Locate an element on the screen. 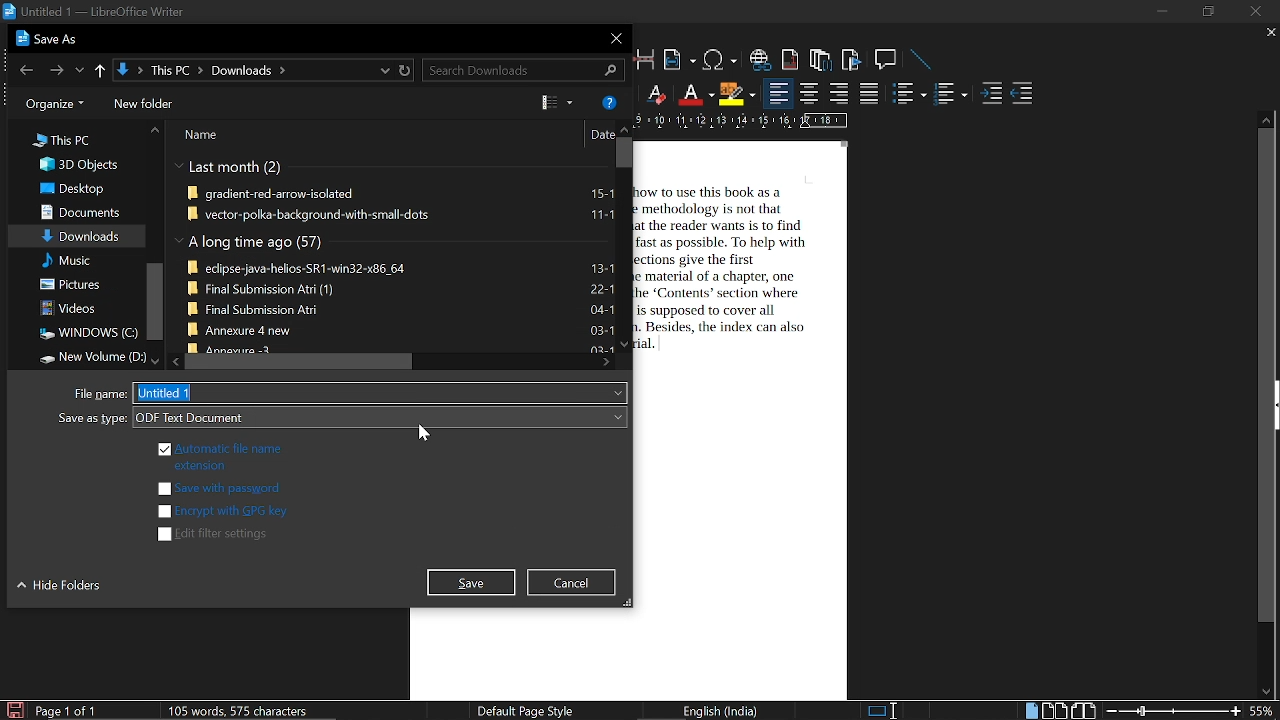 The width and height of the screenshot is (1280, 720). refresh is located at coordinates (406, 71).